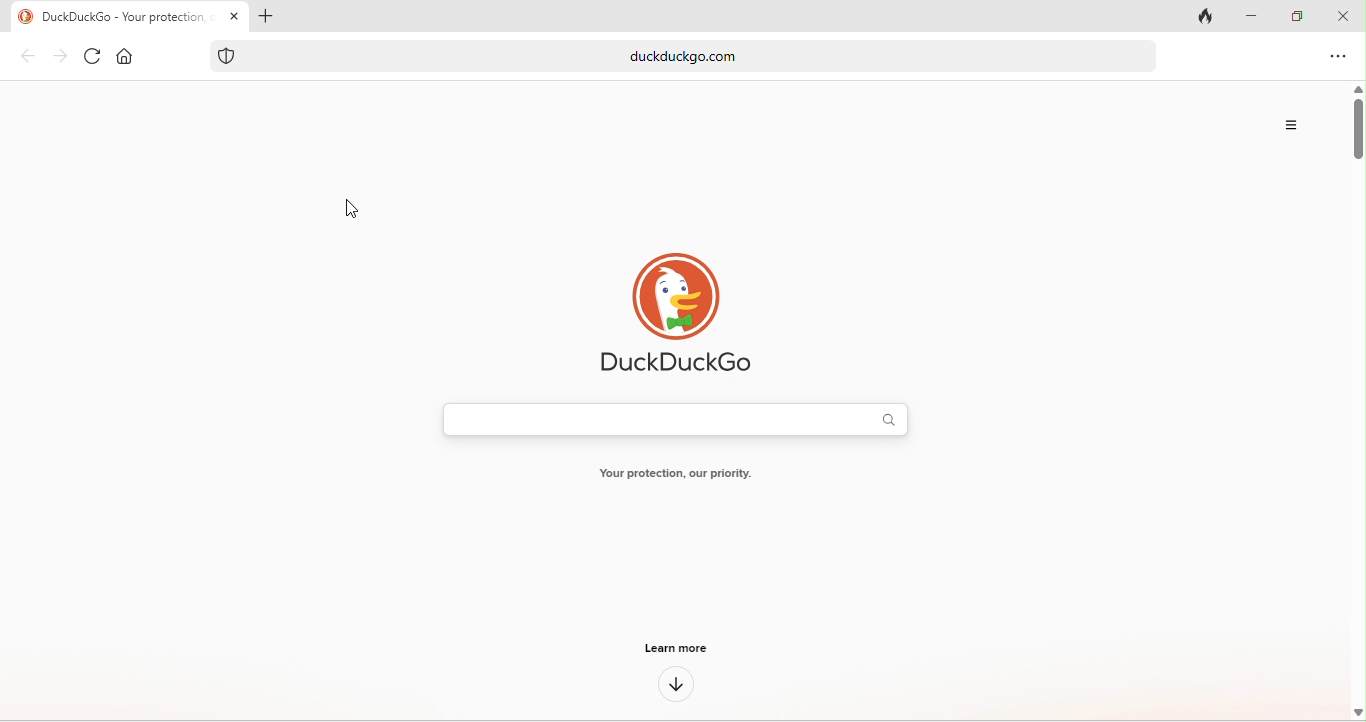  Describe the element at coordinates (275, 17) in the screenshot. I see `add` at that location.